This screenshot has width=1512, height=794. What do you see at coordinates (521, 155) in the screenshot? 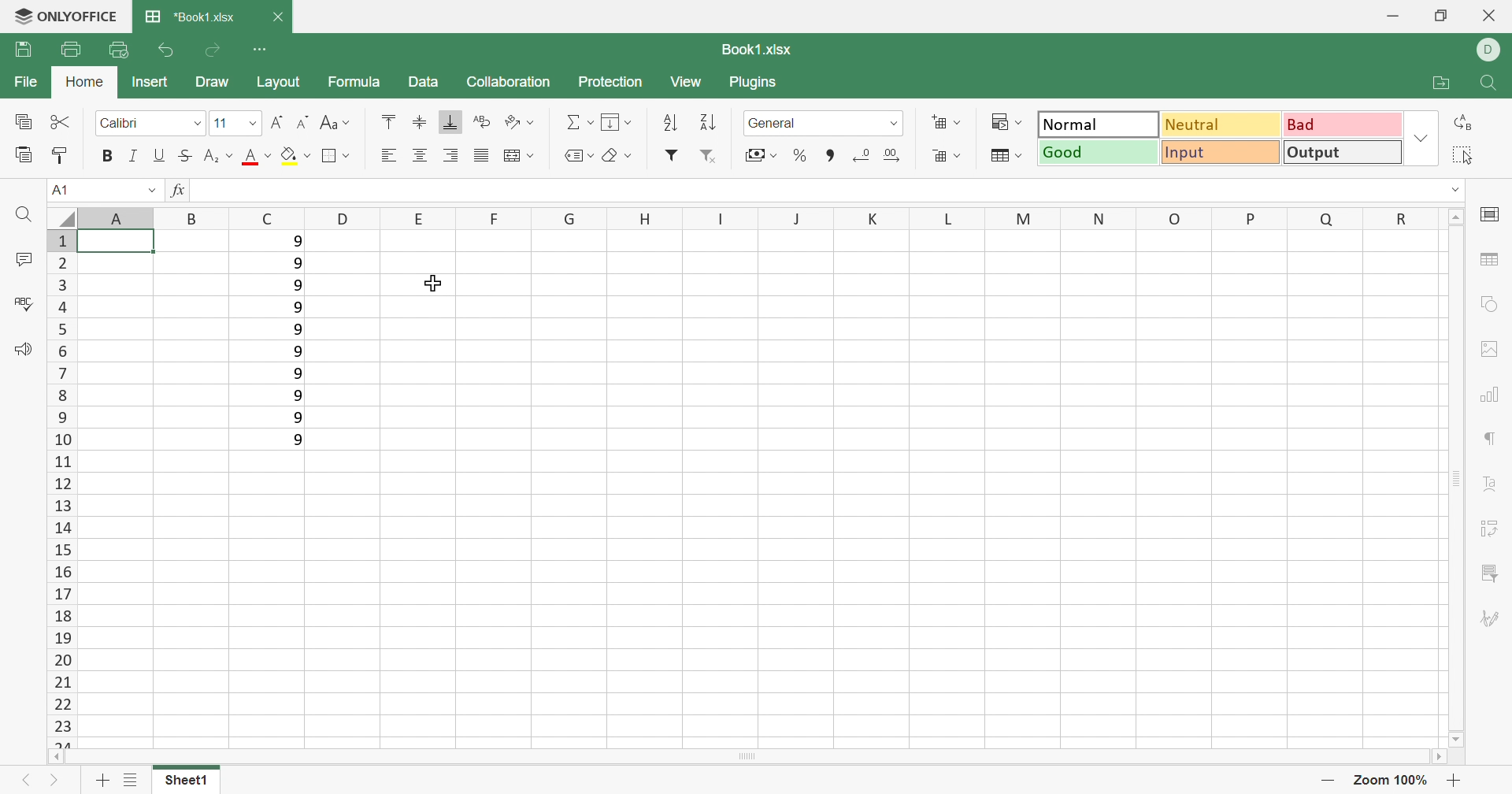
I see `Merge and center` at bounding box center [521, 155].